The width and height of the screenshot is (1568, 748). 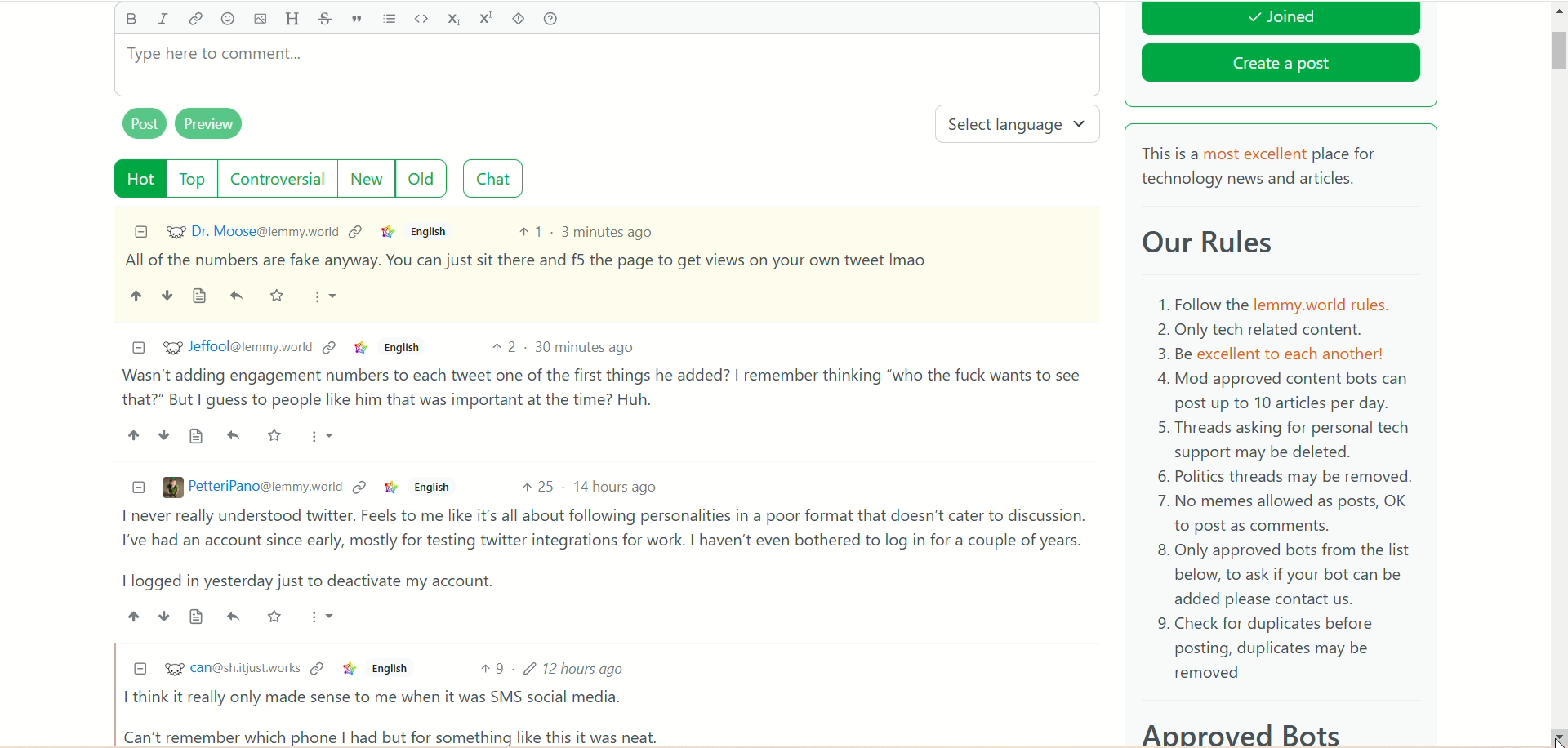 What do you see at coordinates (488, 17) in the screenshot?
I see `superscript` at bounding box center [488, 17].